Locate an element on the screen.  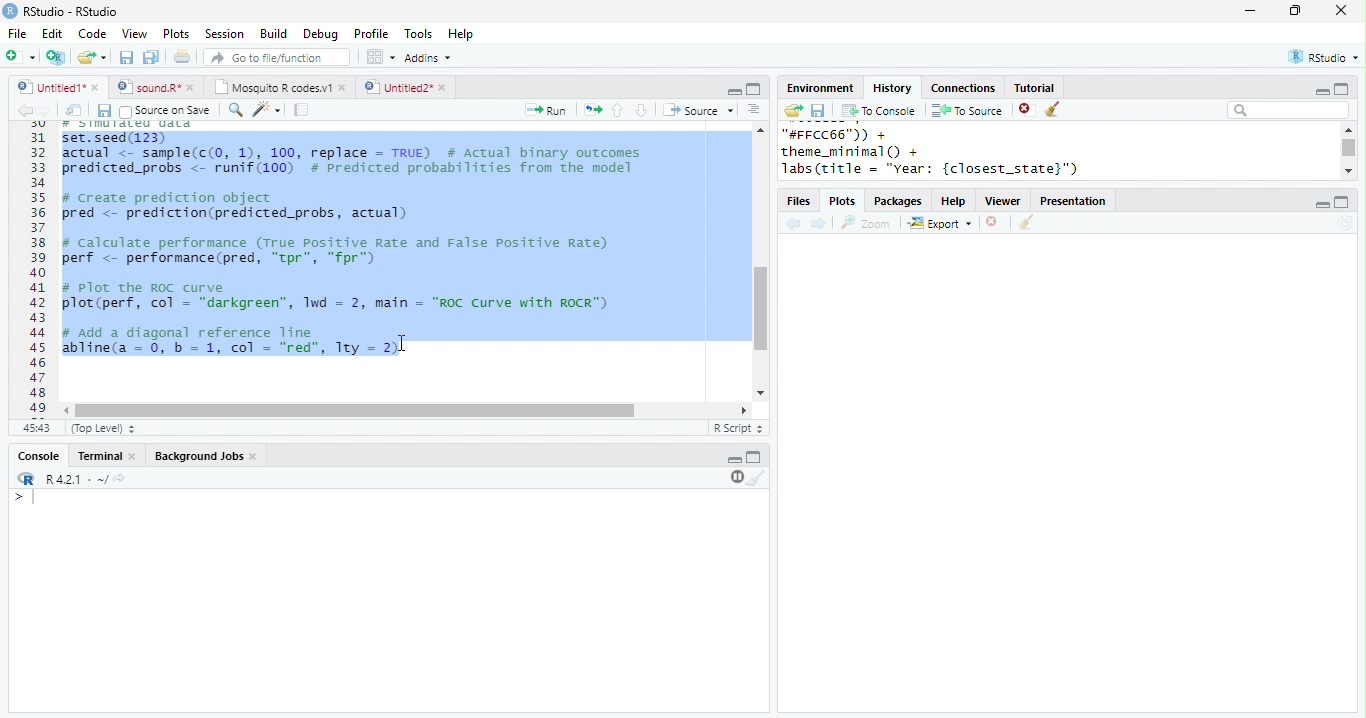
R Script is located at coordinates (739, 427).